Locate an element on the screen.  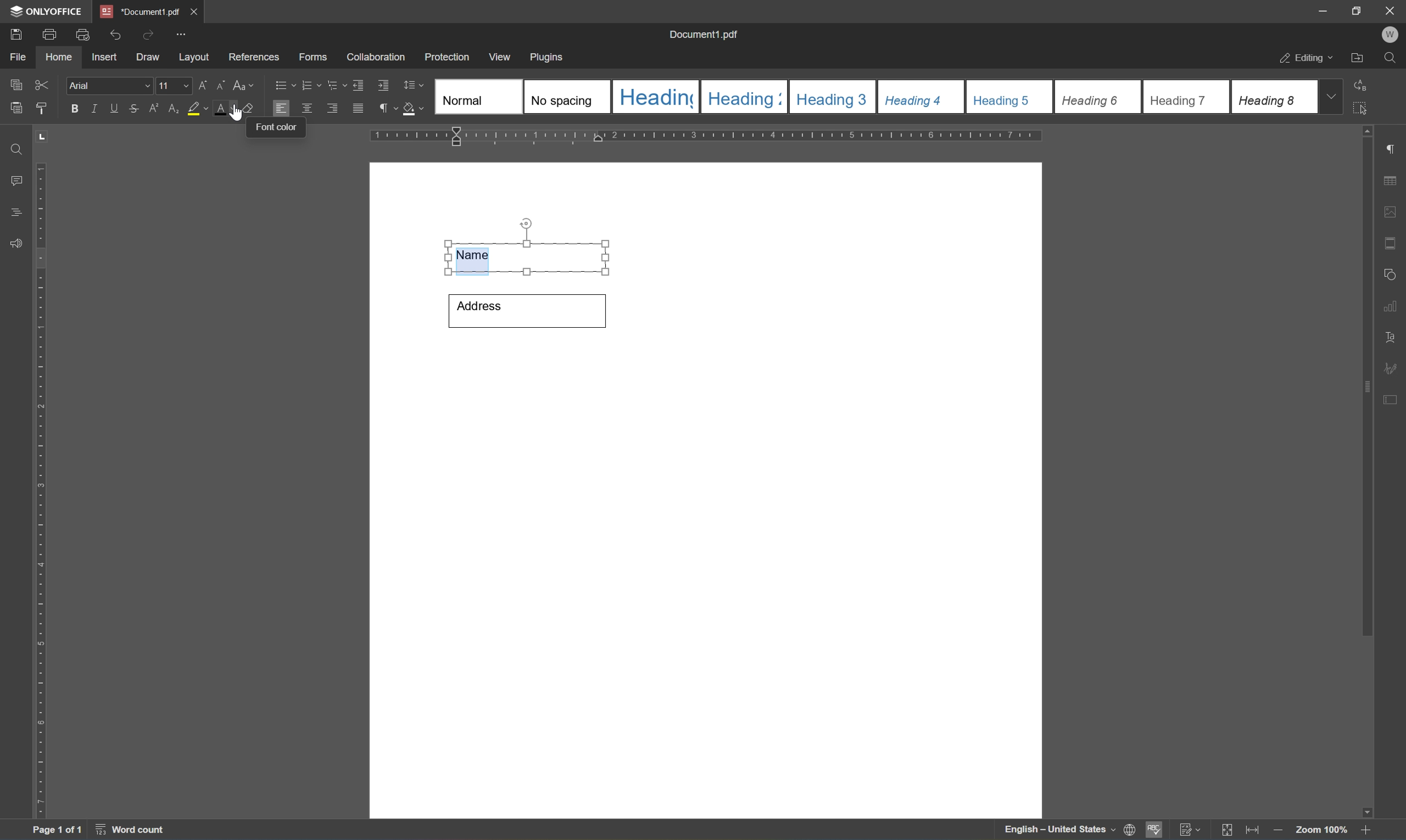
chart settings is located at coordinates (1393, 307).